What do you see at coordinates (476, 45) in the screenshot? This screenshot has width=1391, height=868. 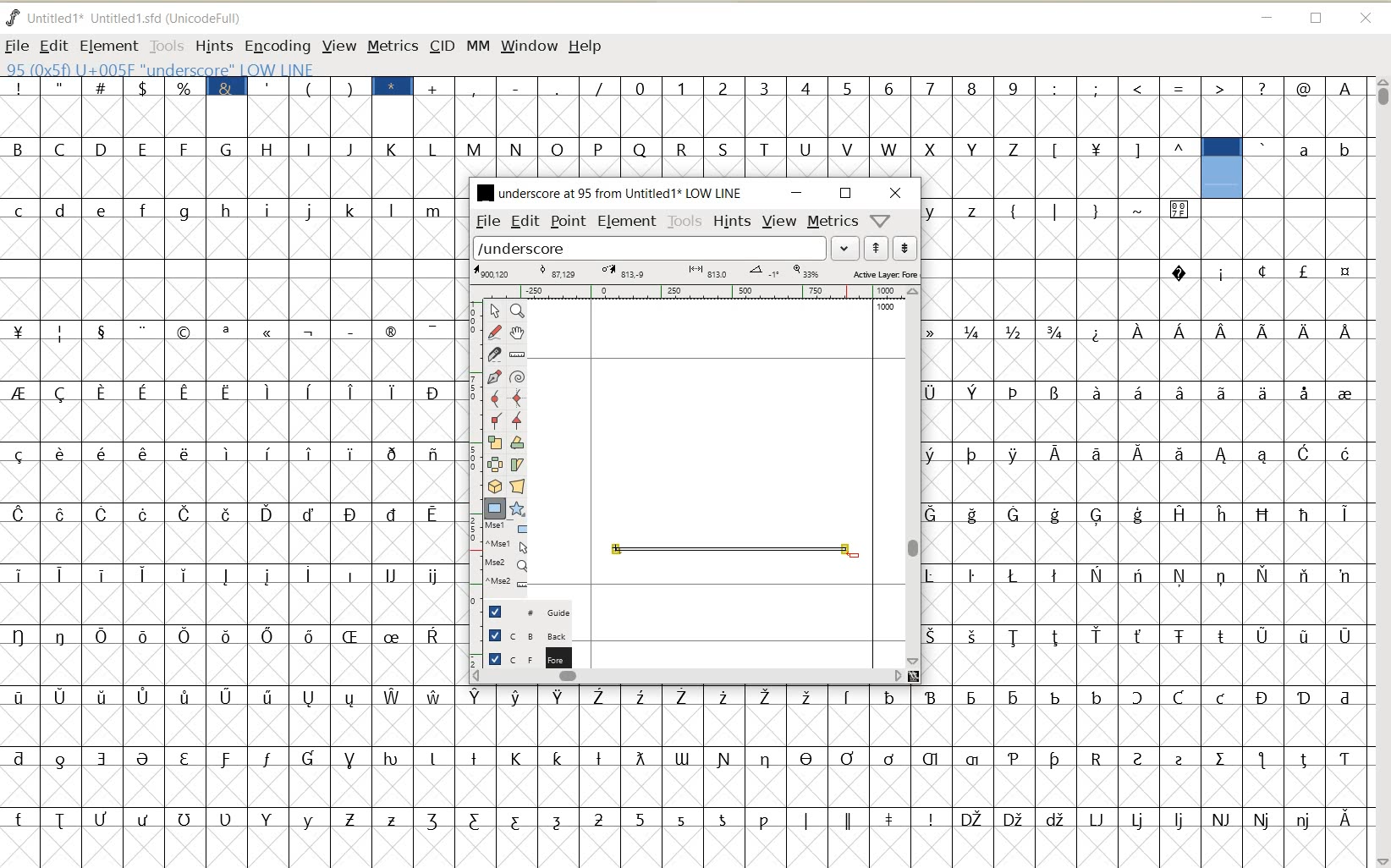 I see `MM` at bounding box center [476, 45].